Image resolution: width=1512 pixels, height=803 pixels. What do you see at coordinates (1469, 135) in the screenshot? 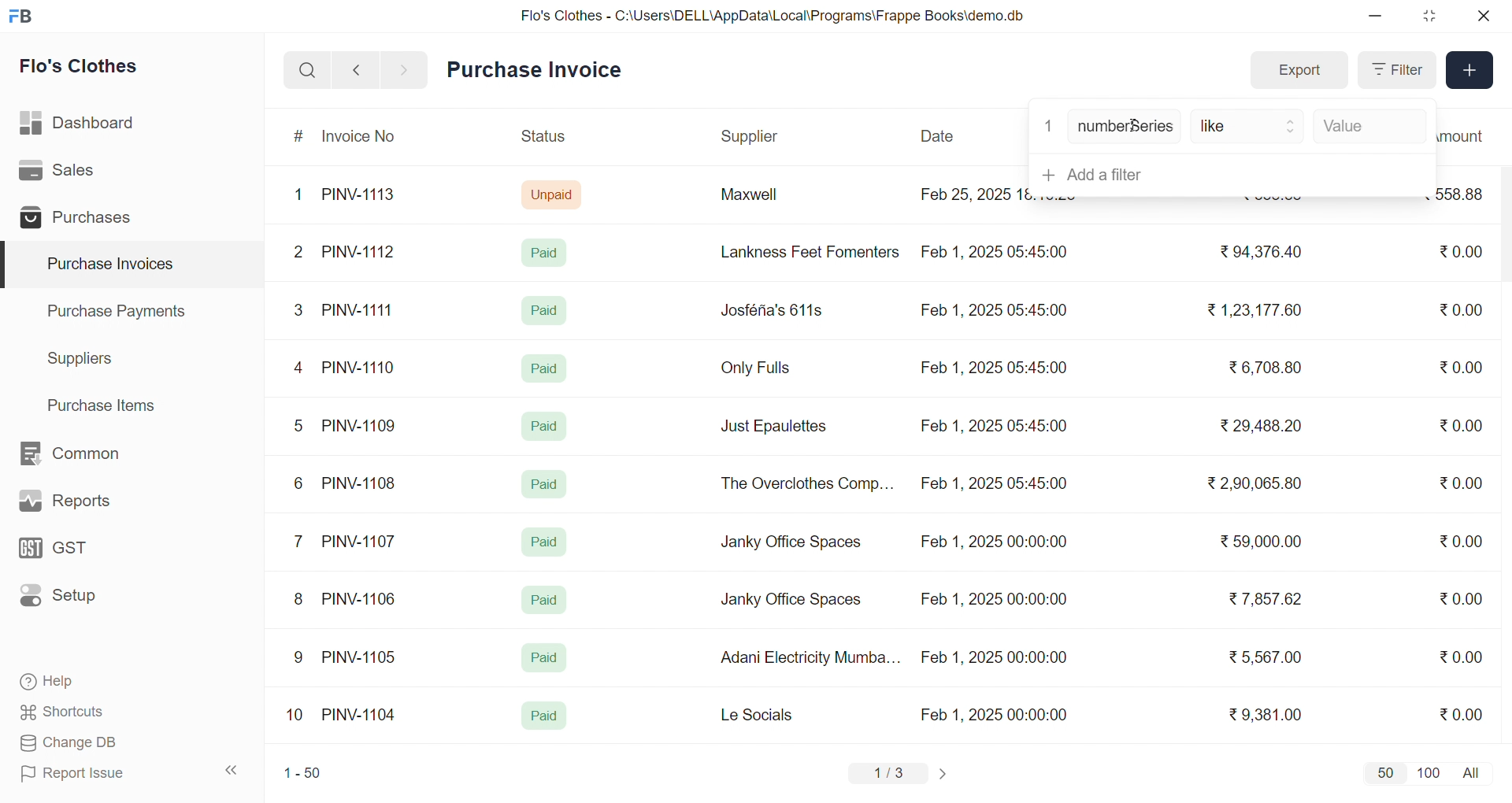
I see `Outstanding Amount` at bounding box center [1469, 135].